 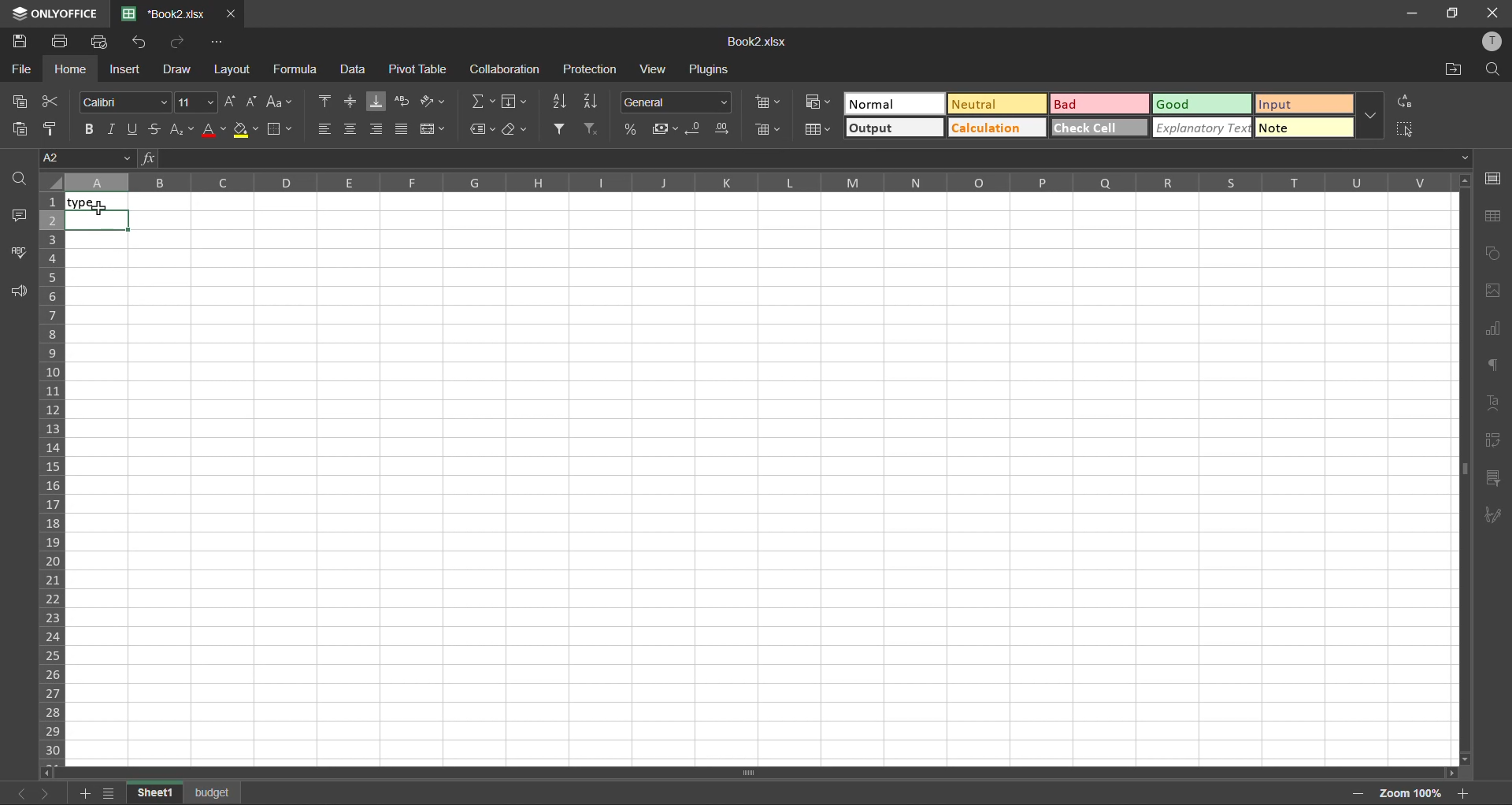 What do you see at coordinates (995, 128) in the screenshot?
I see `calculation` at bounding box center [995, 128].